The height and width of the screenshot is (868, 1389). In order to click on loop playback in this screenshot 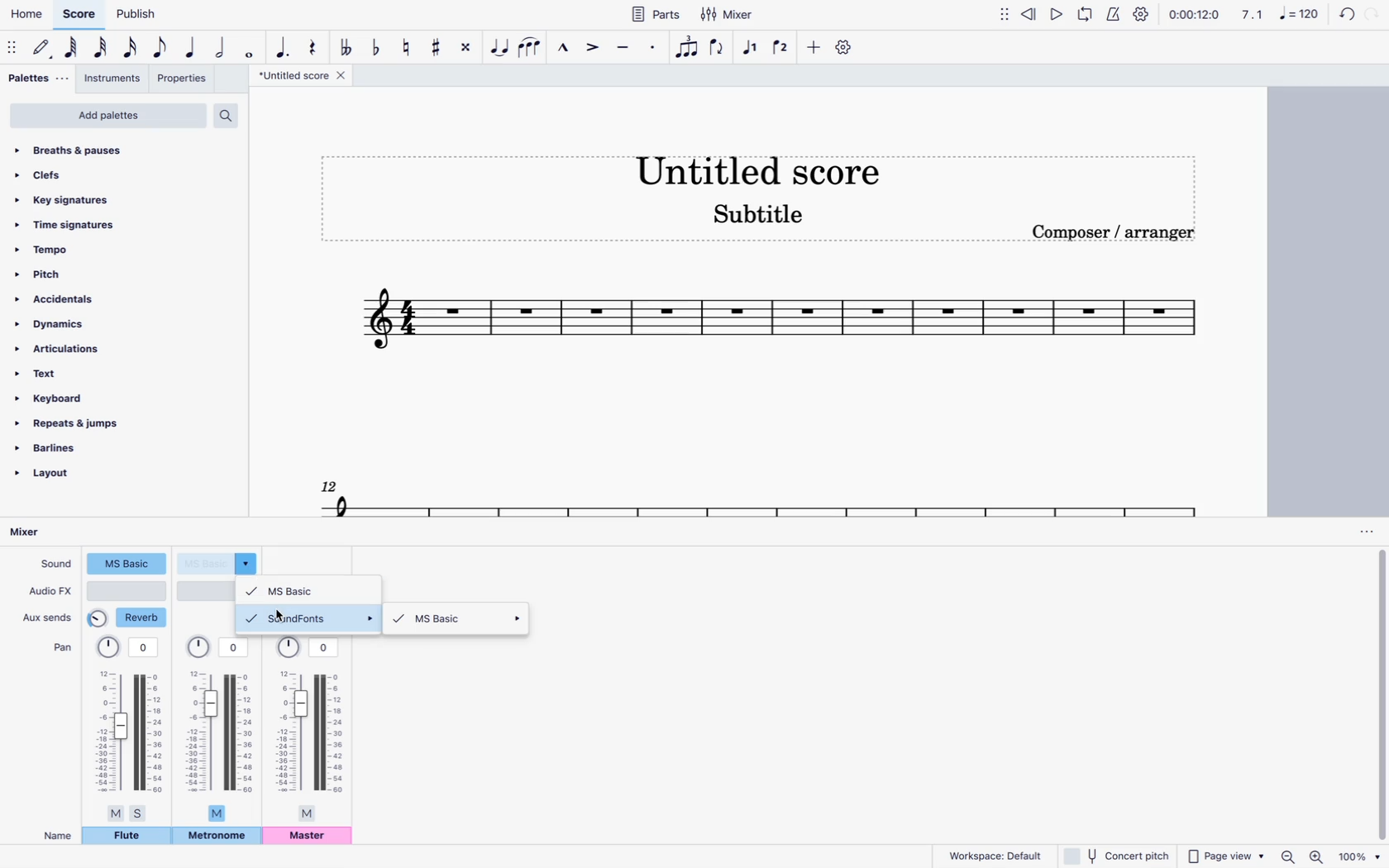, I will do `click(1086, 17)`.